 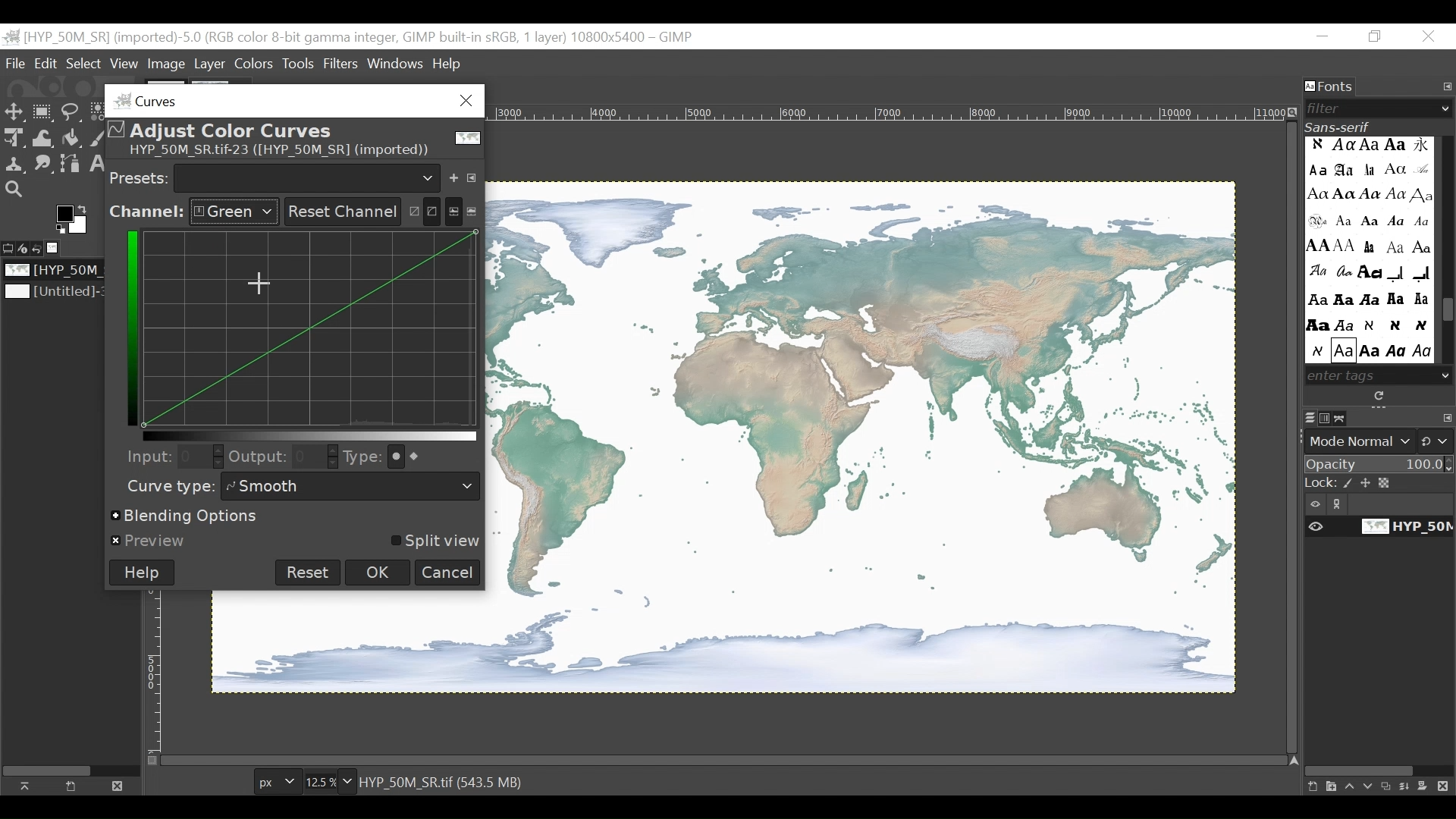 What do you see at coordinates (9, 246) in the screenshot?
I see `Tool options` at bounding box center [9, 246].